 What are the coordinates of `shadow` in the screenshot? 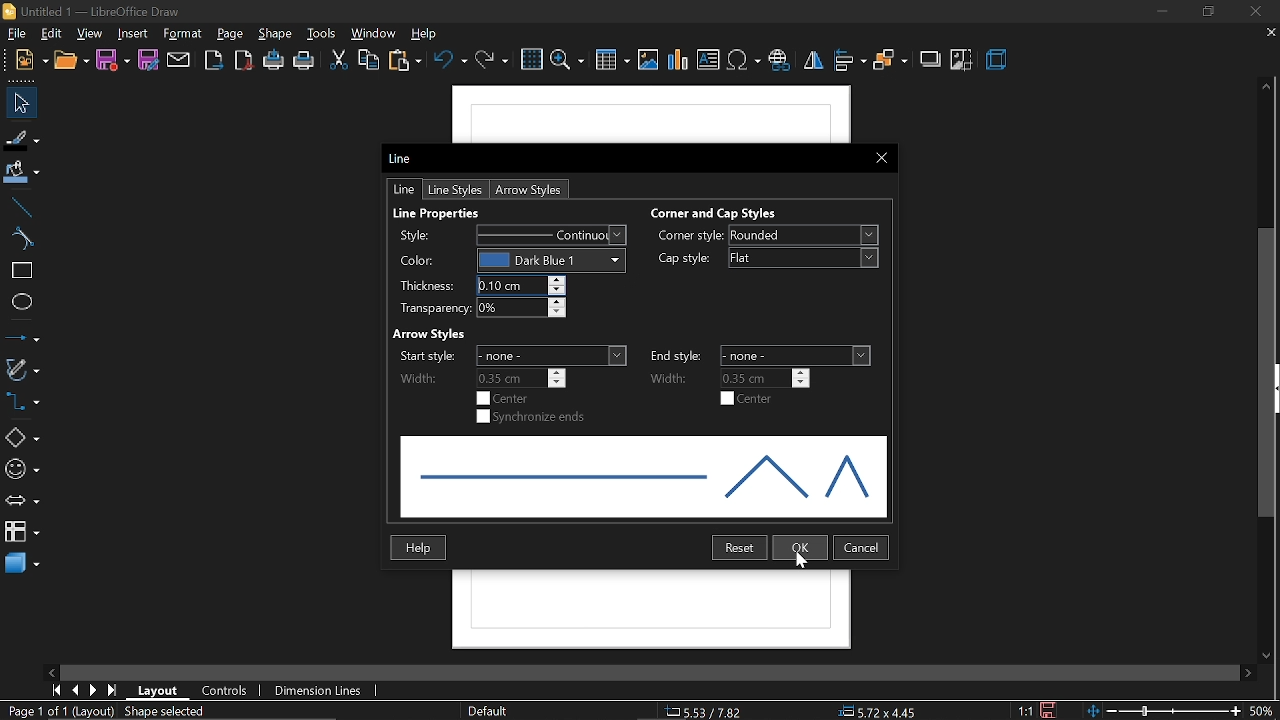 It's located at (928, 60).